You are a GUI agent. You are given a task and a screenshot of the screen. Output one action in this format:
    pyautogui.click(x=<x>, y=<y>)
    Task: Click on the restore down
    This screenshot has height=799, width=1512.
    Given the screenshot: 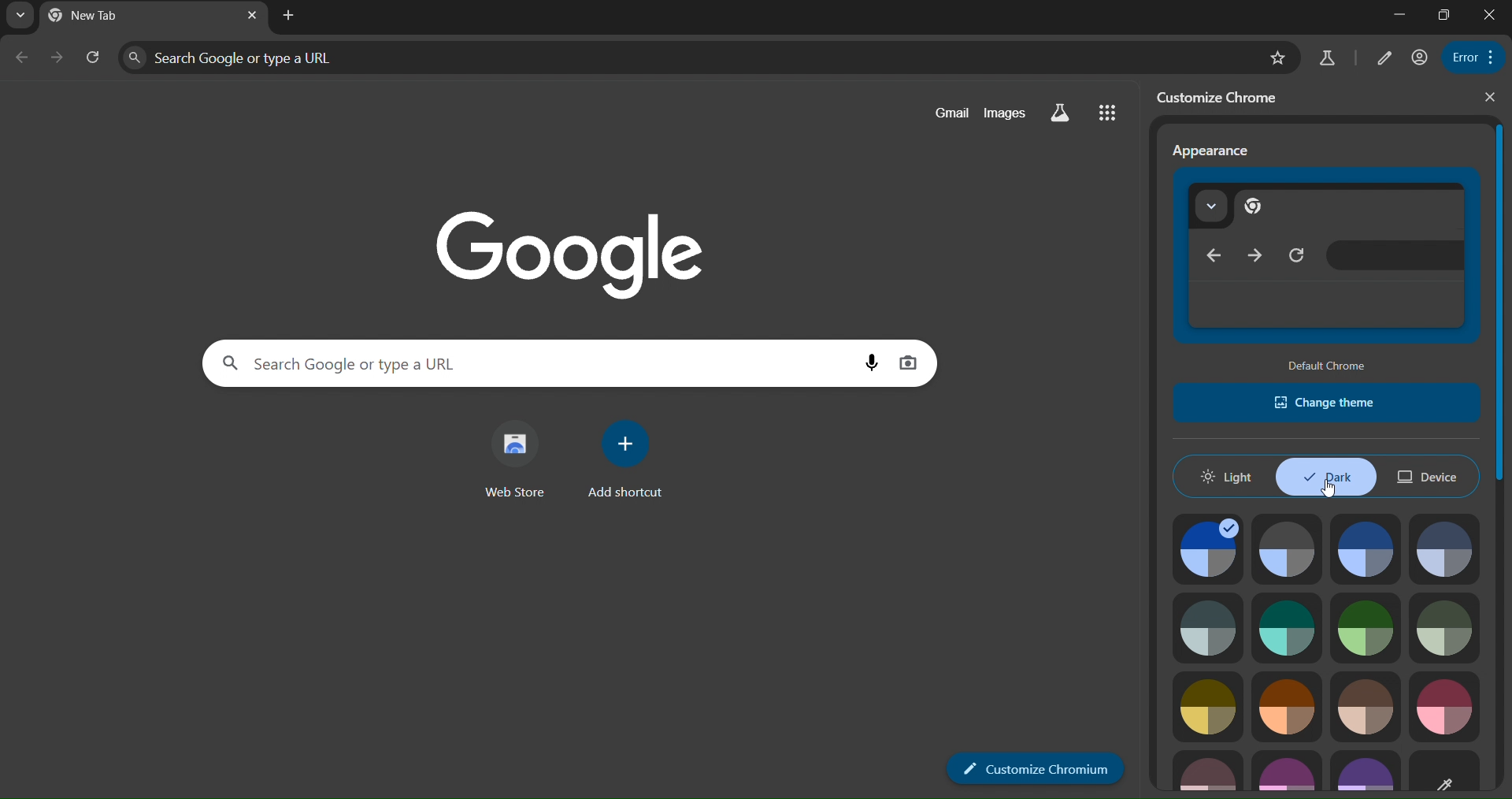 What is the action you would take?
    pyautogui.click(x=1447, y=13)
    